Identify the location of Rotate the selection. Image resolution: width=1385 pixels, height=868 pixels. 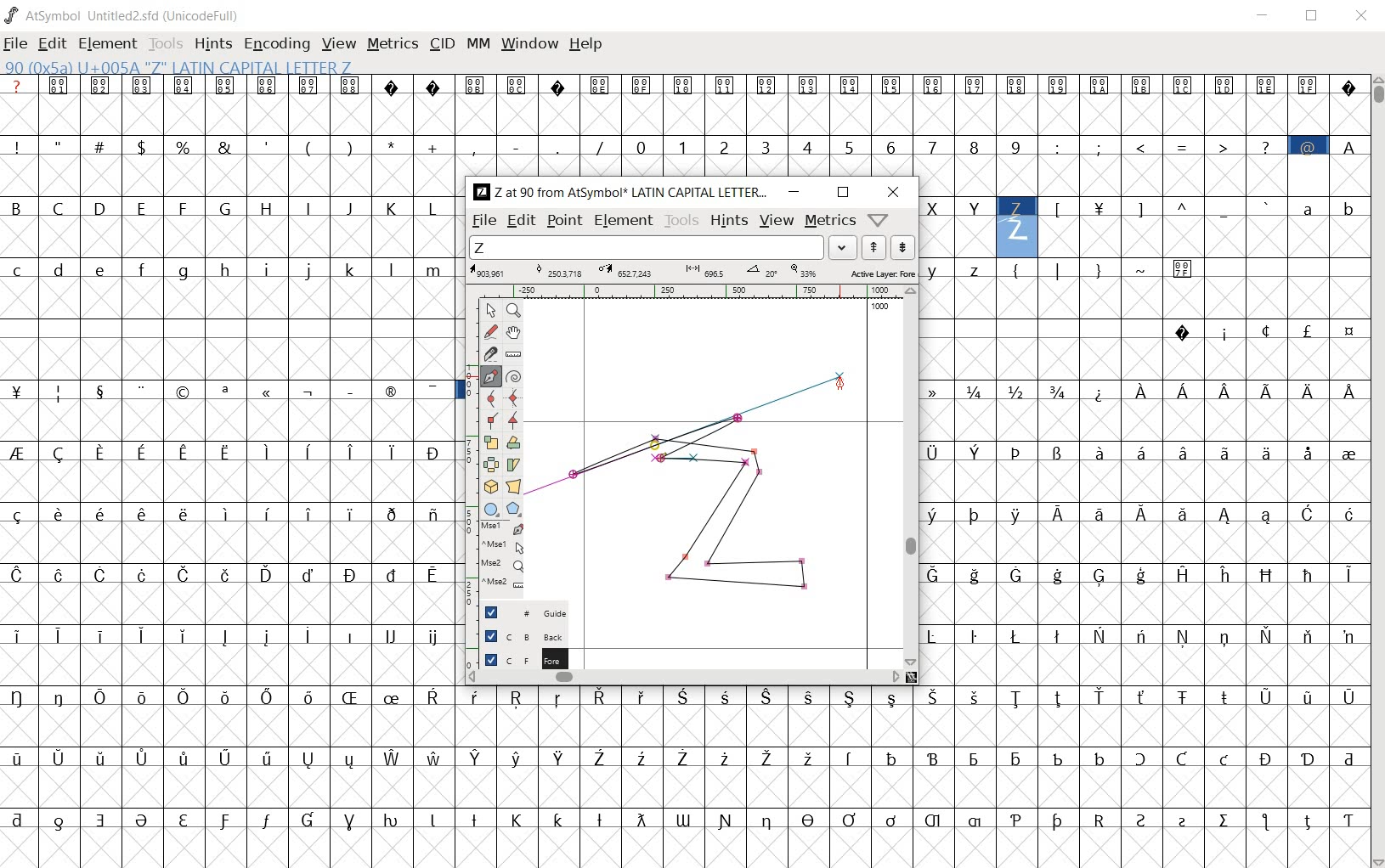
(513, 444).